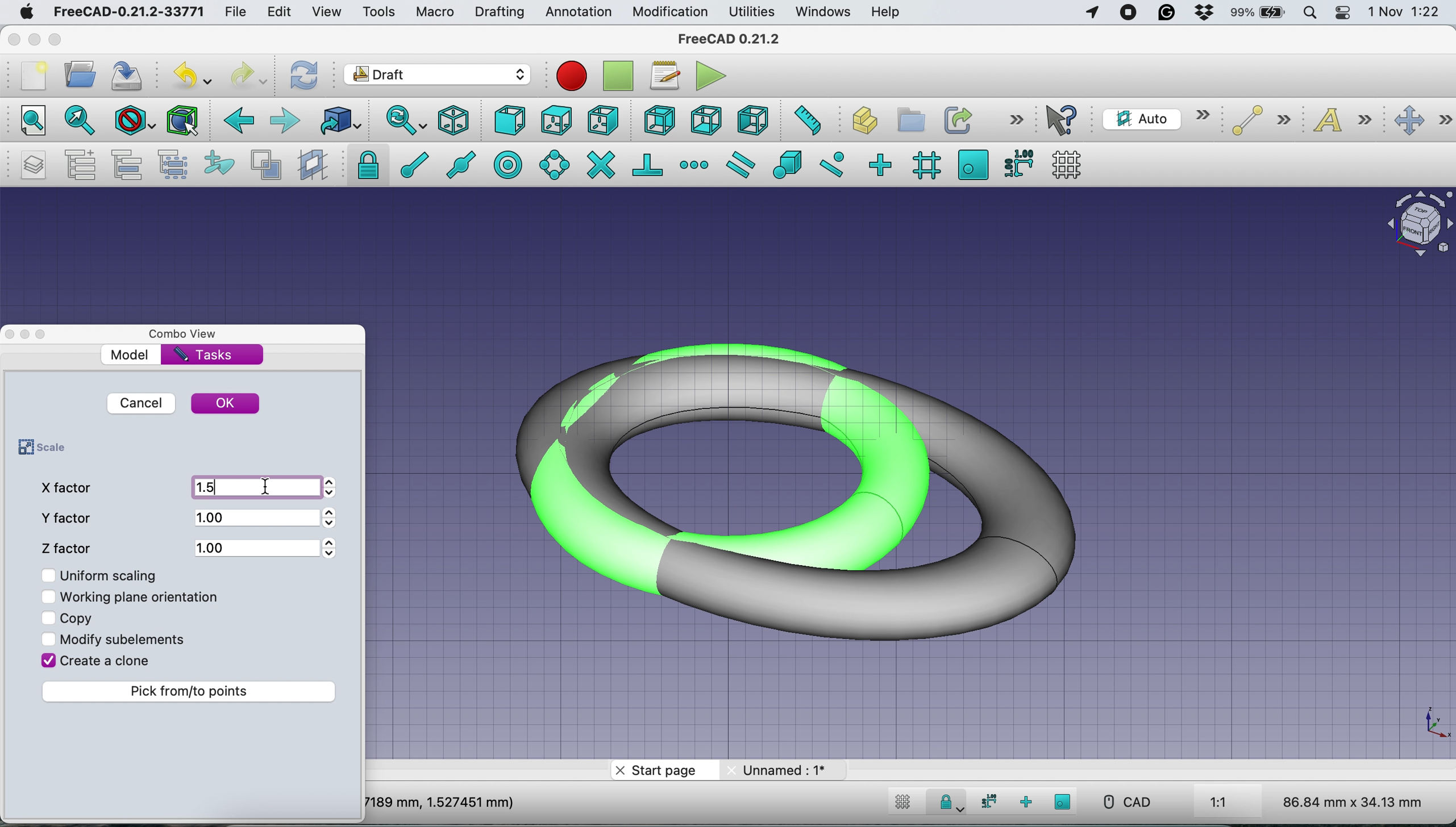  Describe the element at coordinates (1345, 122) in the screenshot. I see `text` at that location.